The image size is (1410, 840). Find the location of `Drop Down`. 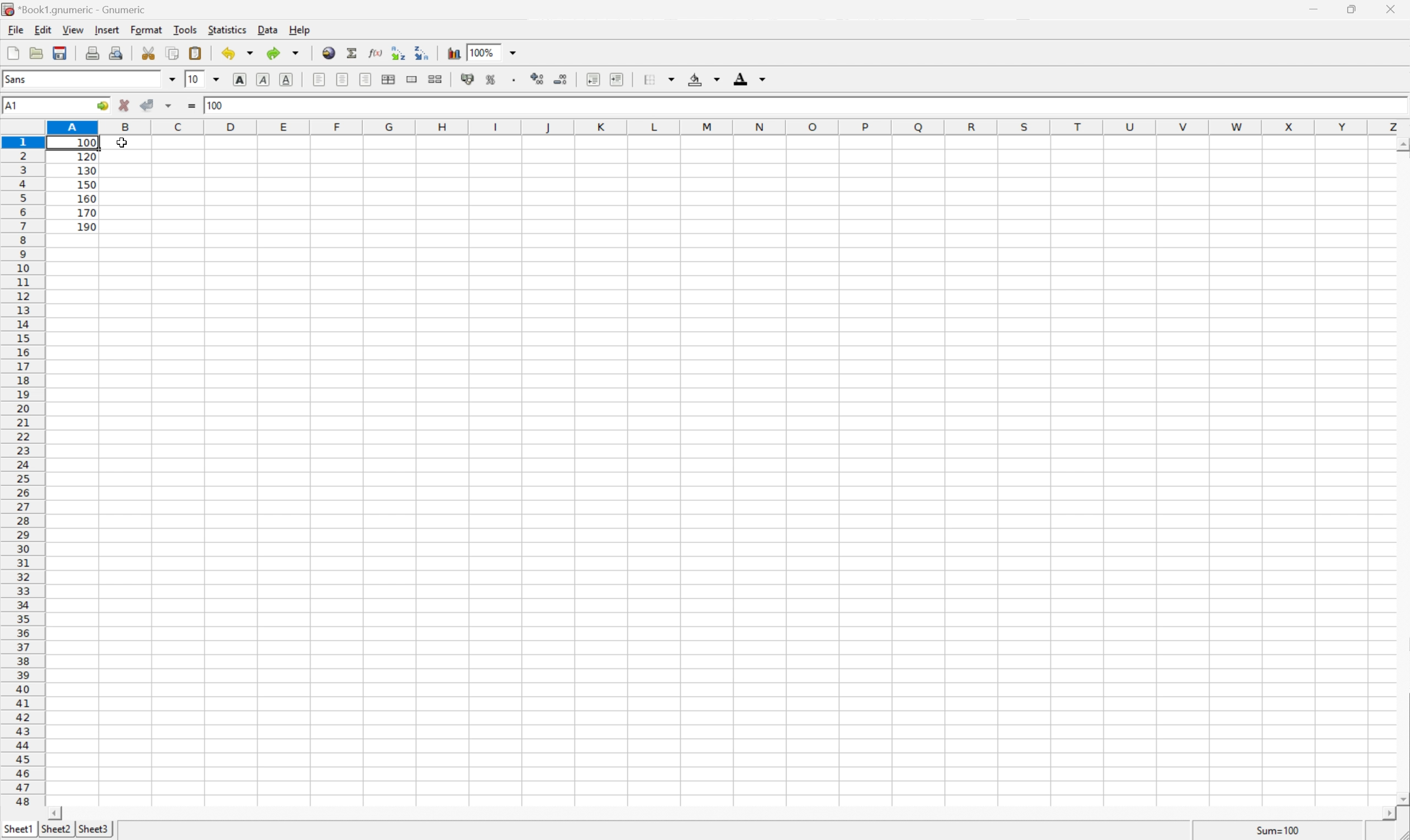

Drop Down is located at coordinates (218, 79).